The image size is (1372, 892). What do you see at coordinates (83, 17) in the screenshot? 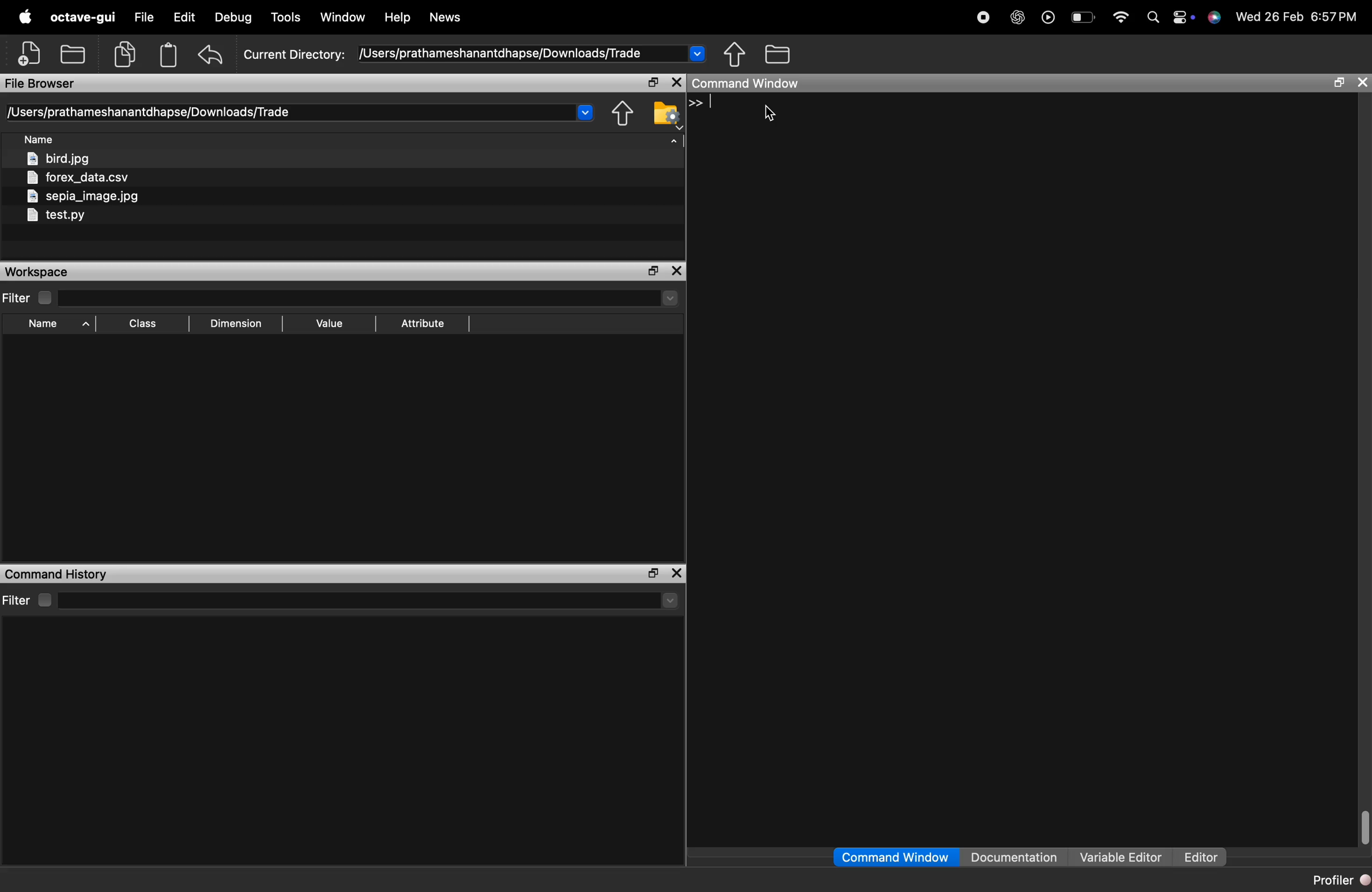
I see `octave-gui` at bounding box center [83, 17].